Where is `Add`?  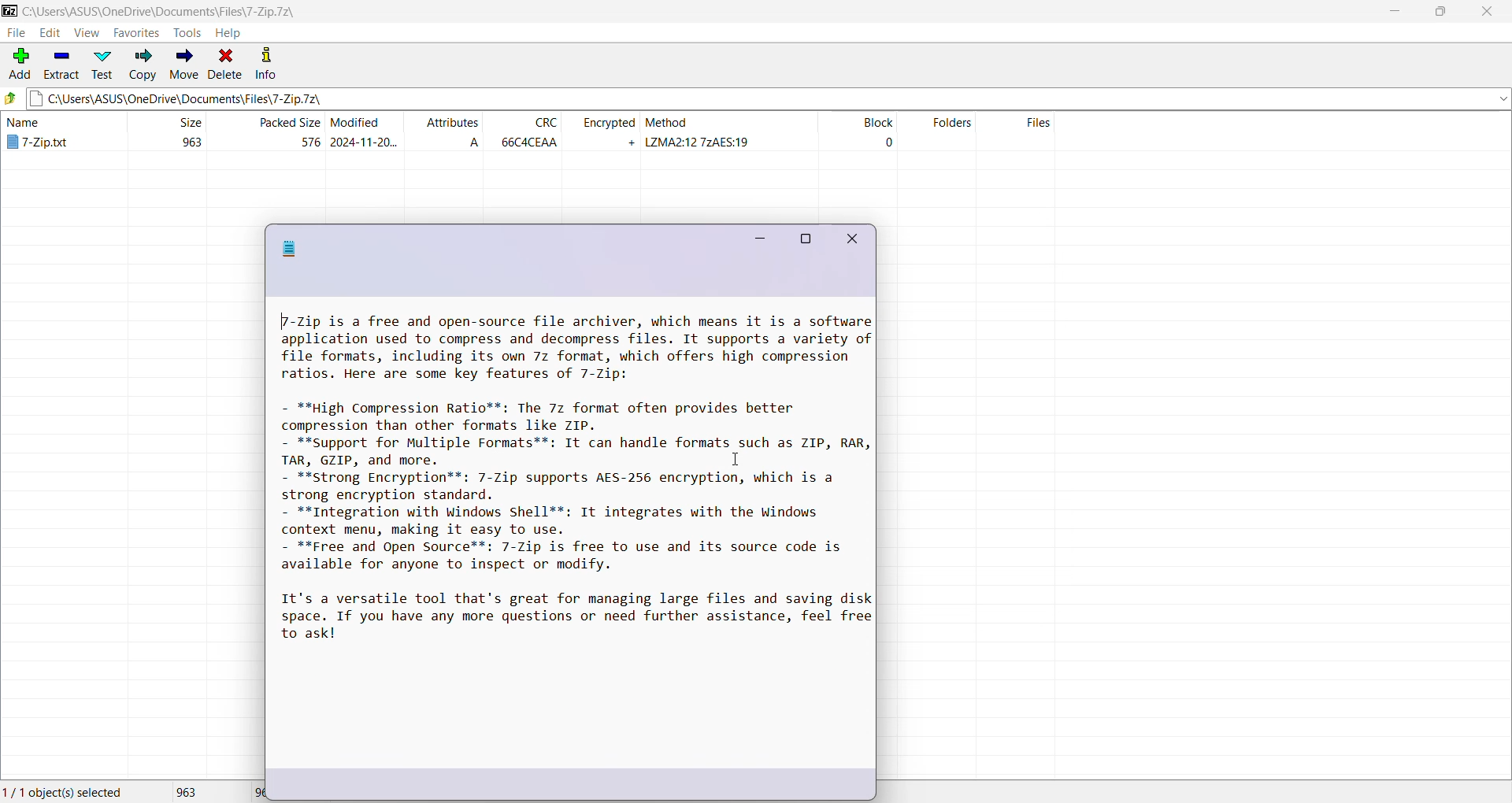 Add is located at coordinates (19, 65).